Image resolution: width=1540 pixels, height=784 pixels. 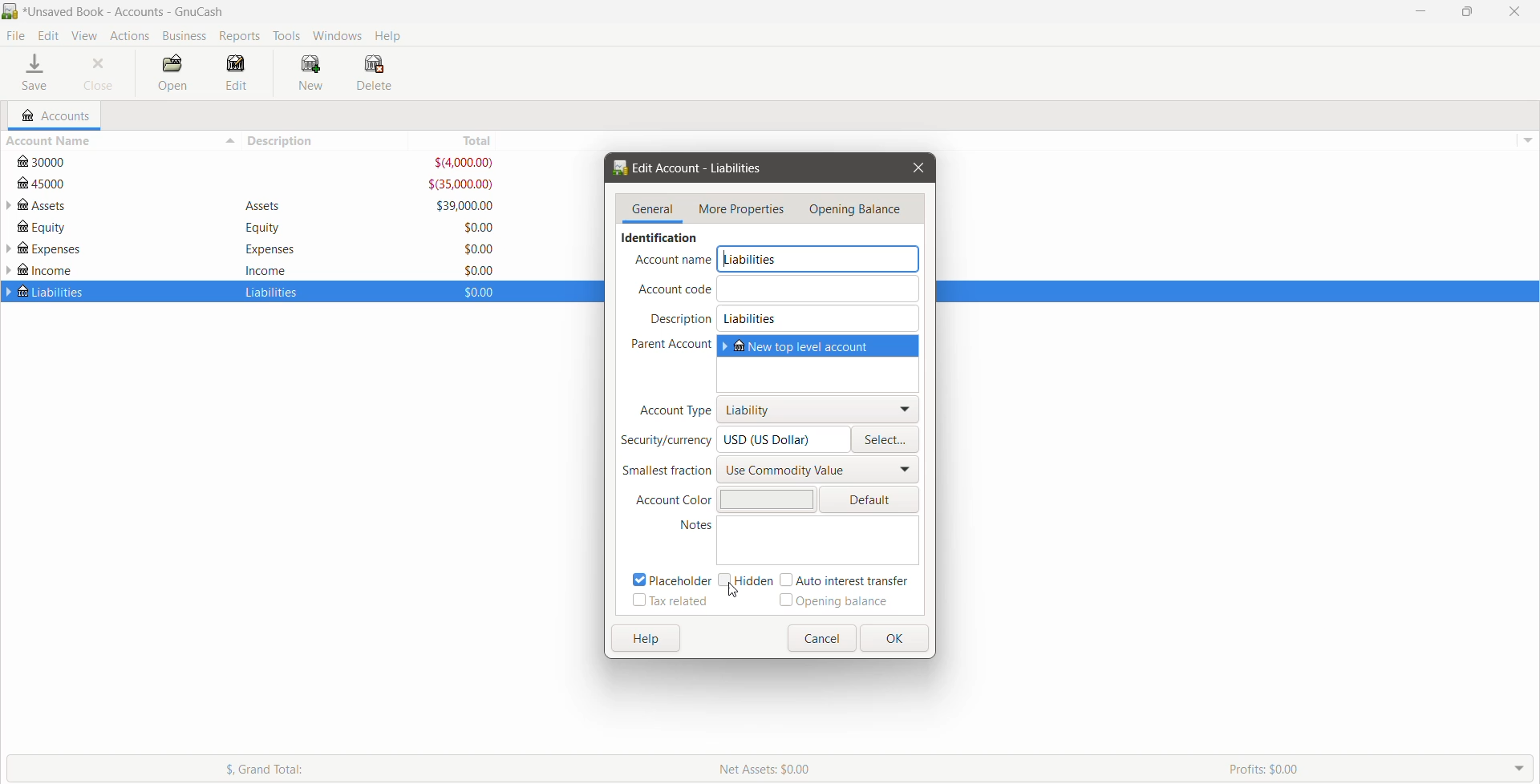 What do you see at coordinates (820, 469) in the screenshot?
I see `Set the required value for smallest fraction` at bounding box center [820, 469].